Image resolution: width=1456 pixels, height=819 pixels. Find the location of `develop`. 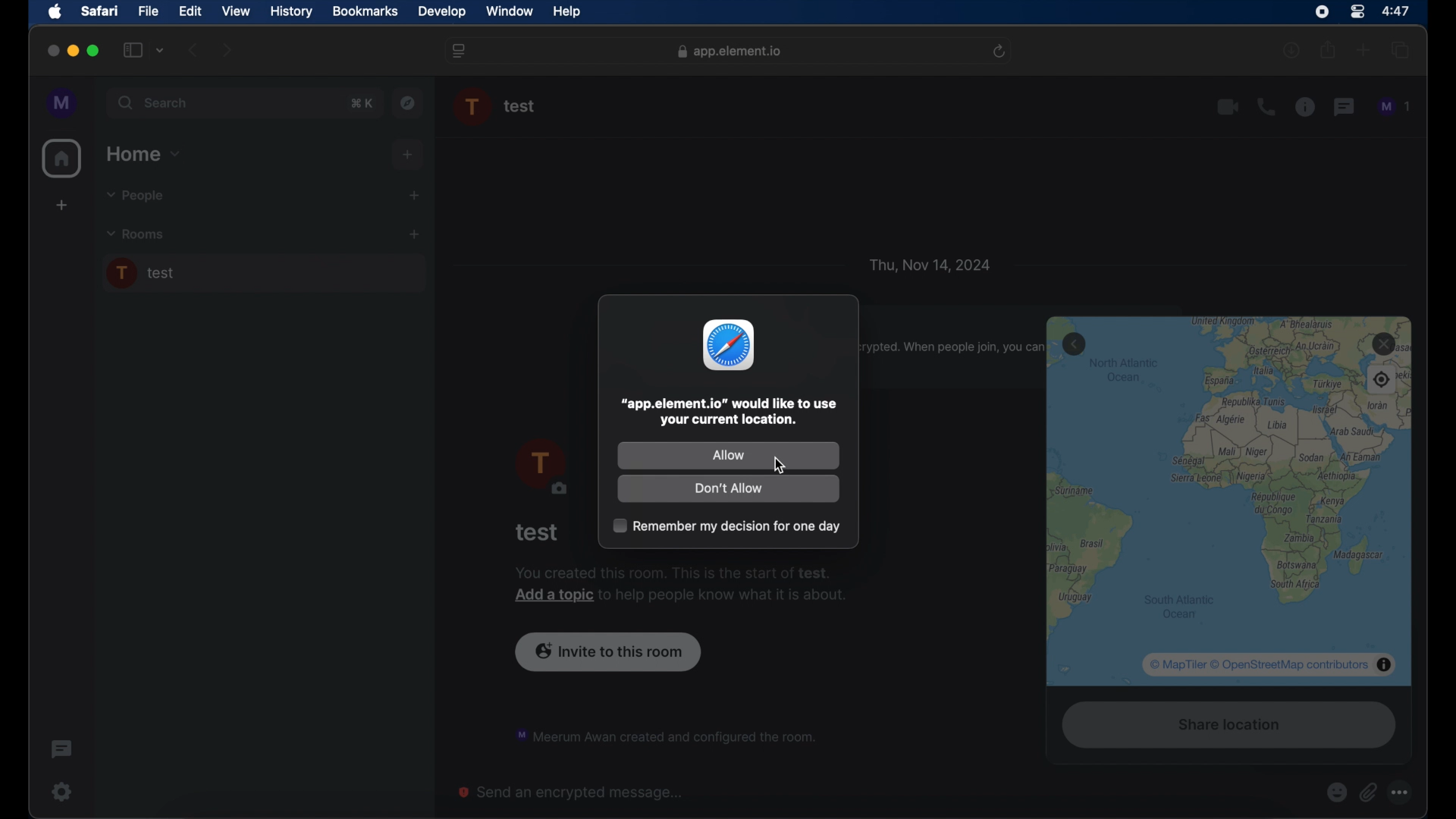

develop is located at coordinates (442, 12).